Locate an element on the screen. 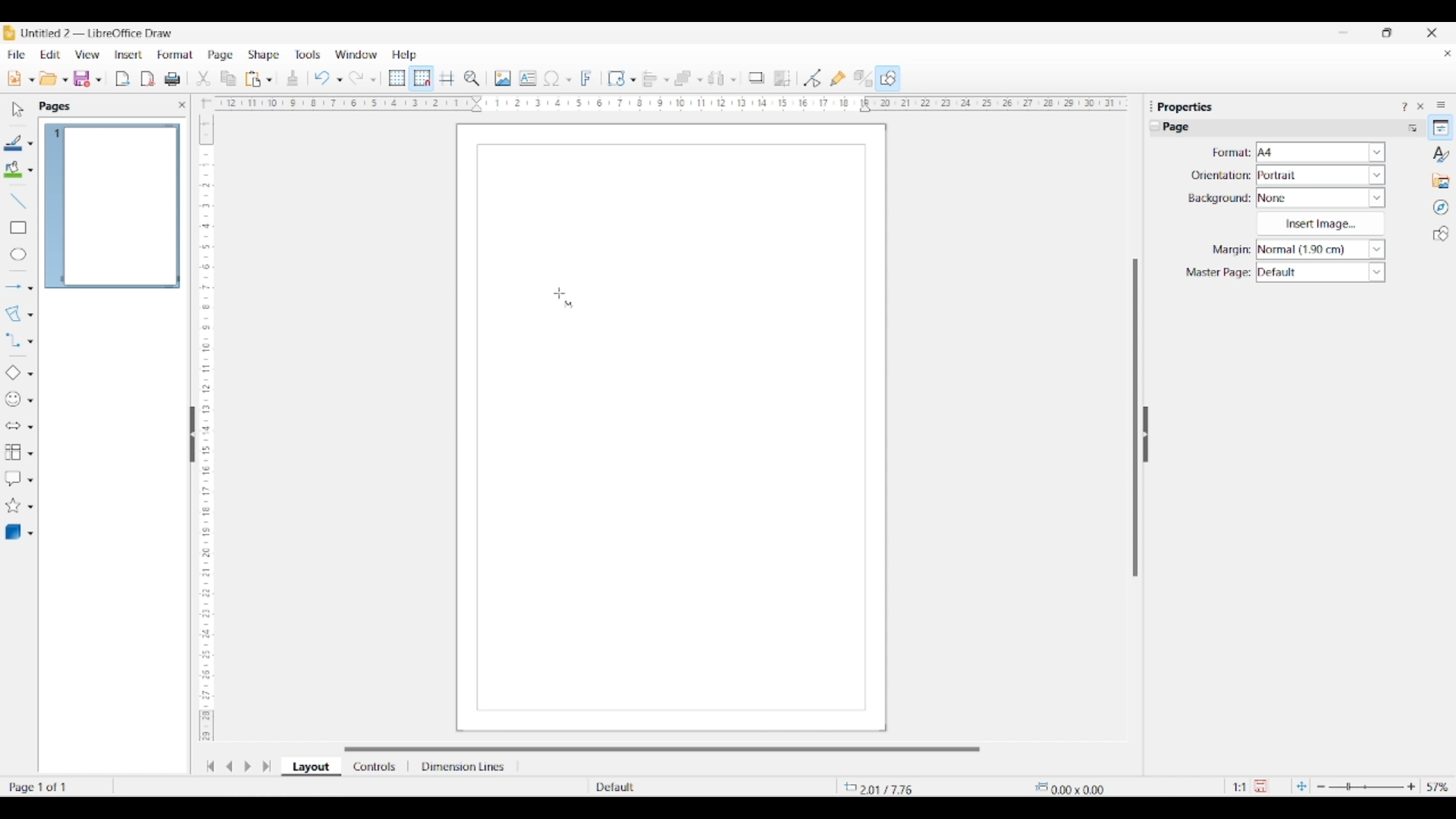 The width and height of the screenshot is (1456, 819). Zoom in is located at coordinates (1411, 786).